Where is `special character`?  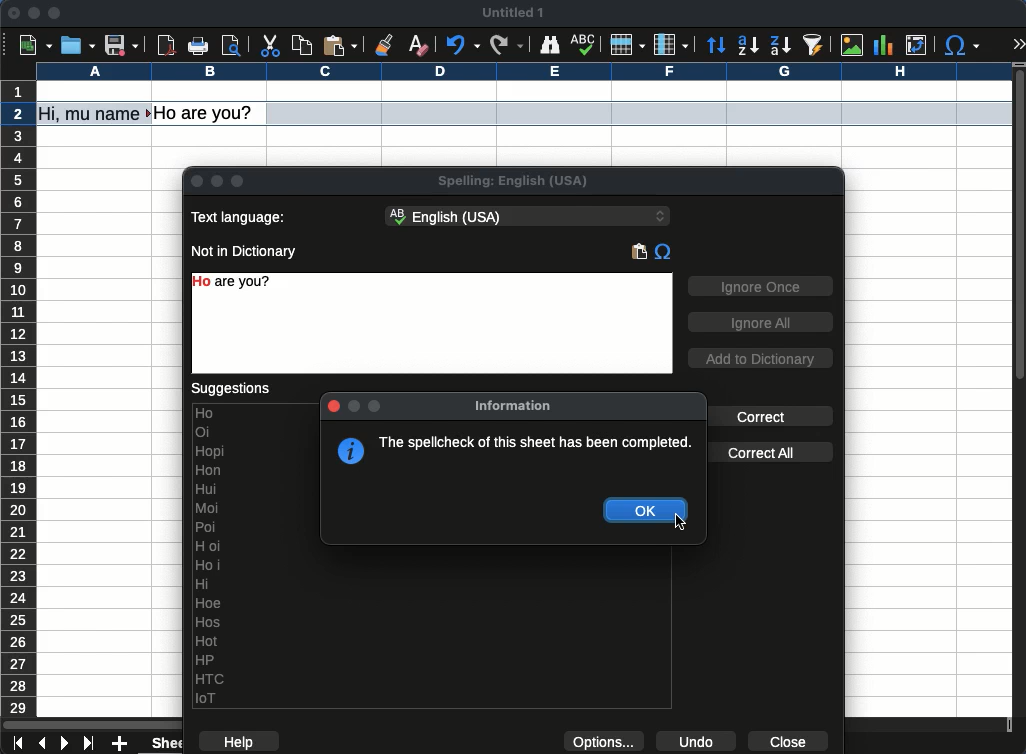 special character is located at coordinates (962, 46).